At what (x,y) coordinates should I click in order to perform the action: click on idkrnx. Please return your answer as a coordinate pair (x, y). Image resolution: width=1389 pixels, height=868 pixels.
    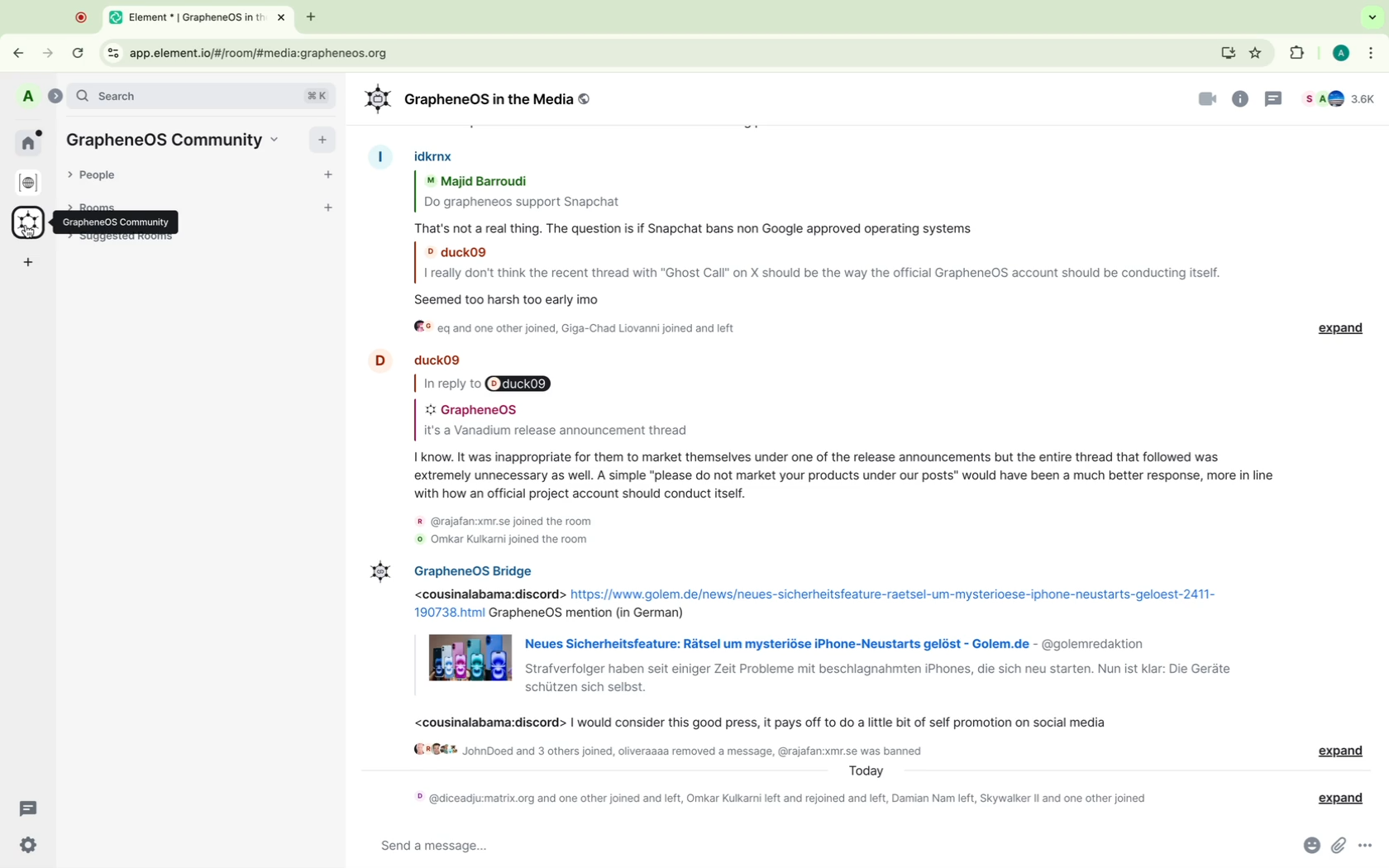
    Looking at the image, I should click on (444, 155).